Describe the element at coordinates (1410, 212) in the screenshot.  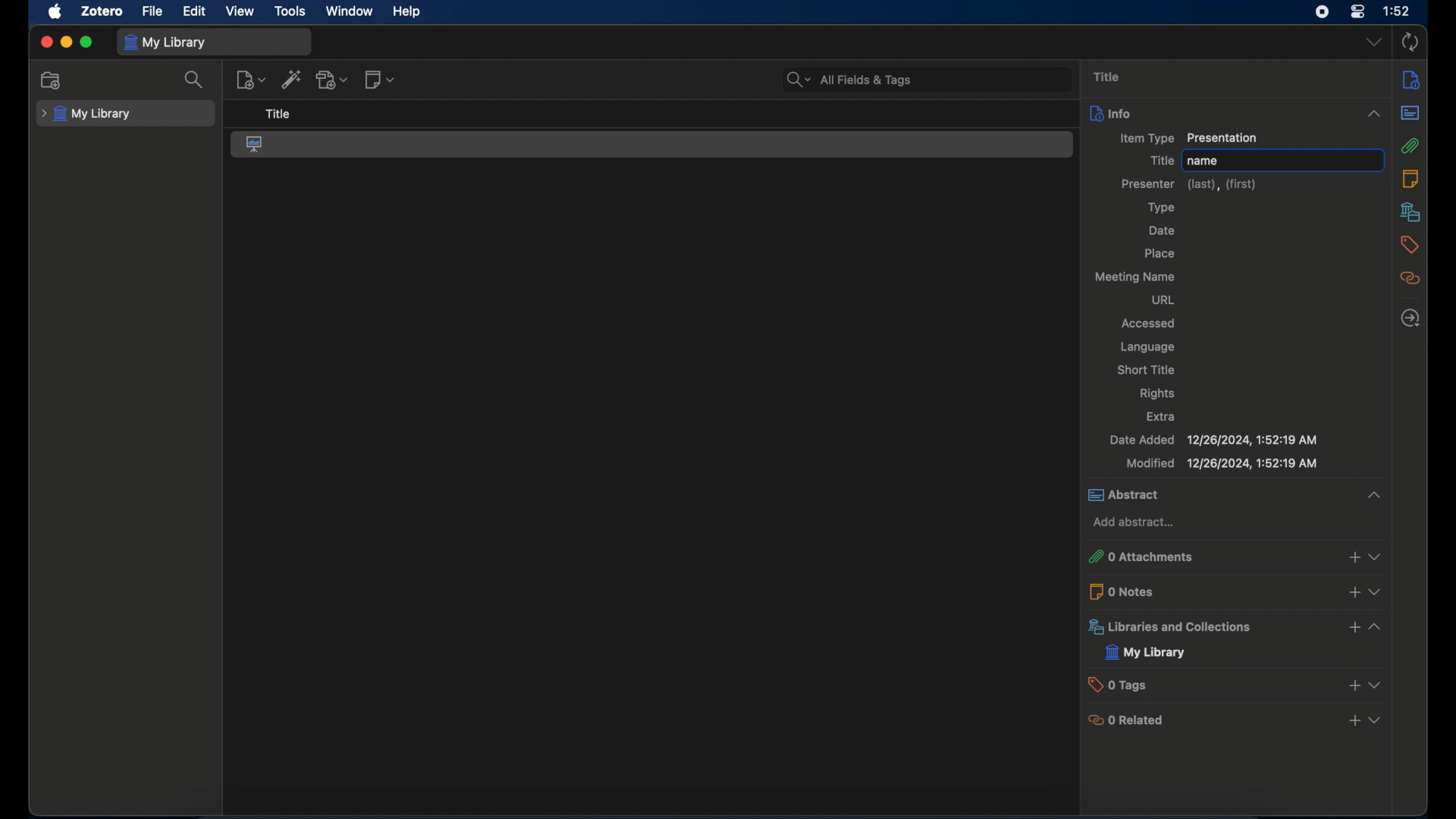
I see `libraries` at that location.